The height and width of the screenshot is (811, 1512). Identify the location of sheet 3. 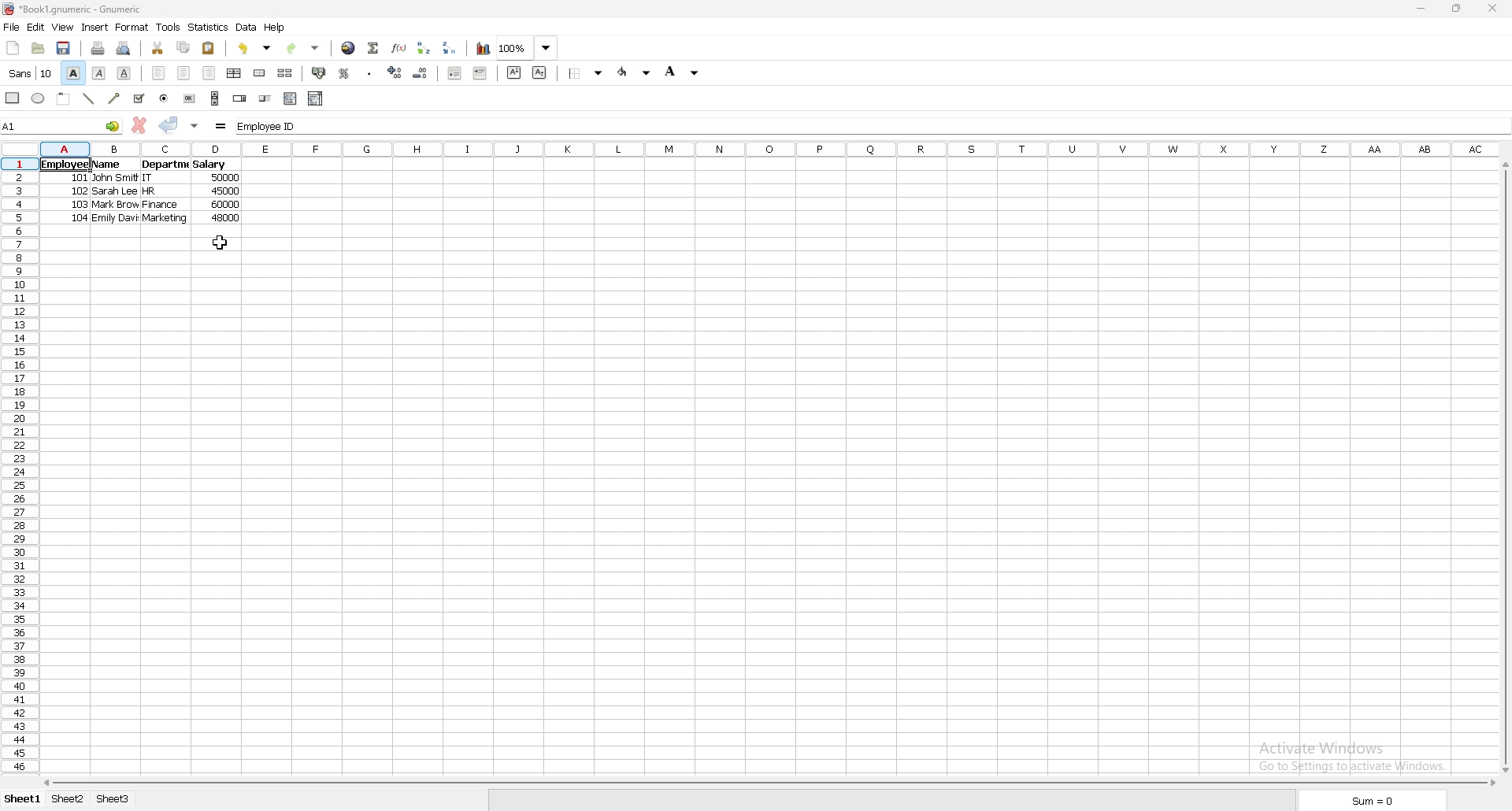
(113, 800).